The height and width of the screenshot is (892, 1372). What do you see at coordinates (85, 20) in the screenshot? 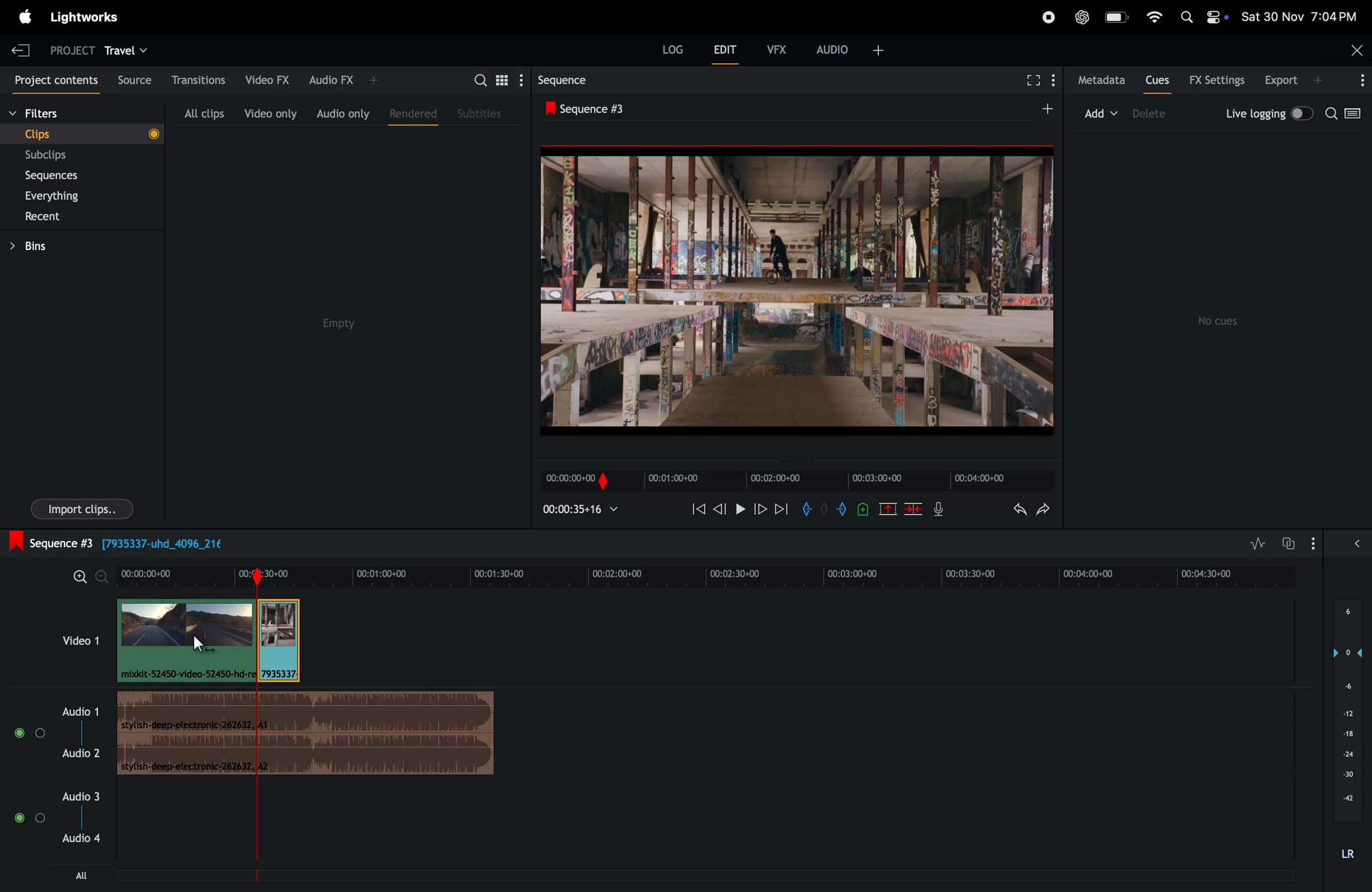
I see `light works` at bounding box center [85, 20].